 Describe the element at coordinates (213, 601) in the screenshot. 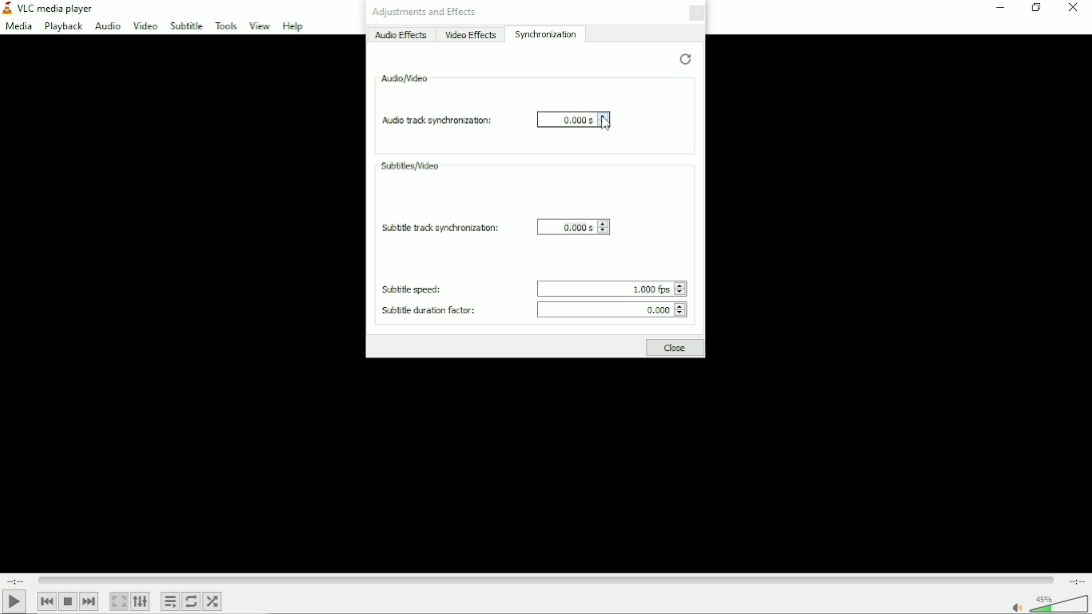

I see `Random` at that location.